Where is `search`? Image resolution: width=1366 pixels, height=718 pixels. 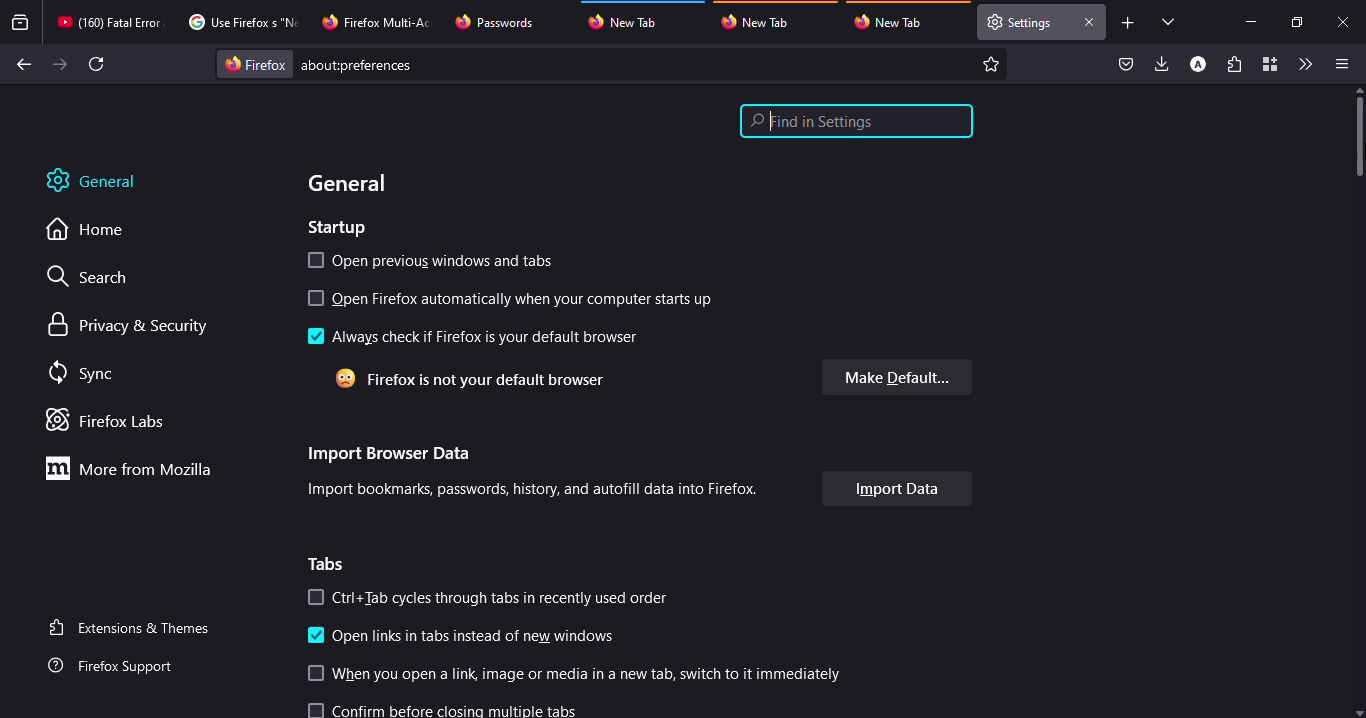
search is located at coordinates (97, 279).